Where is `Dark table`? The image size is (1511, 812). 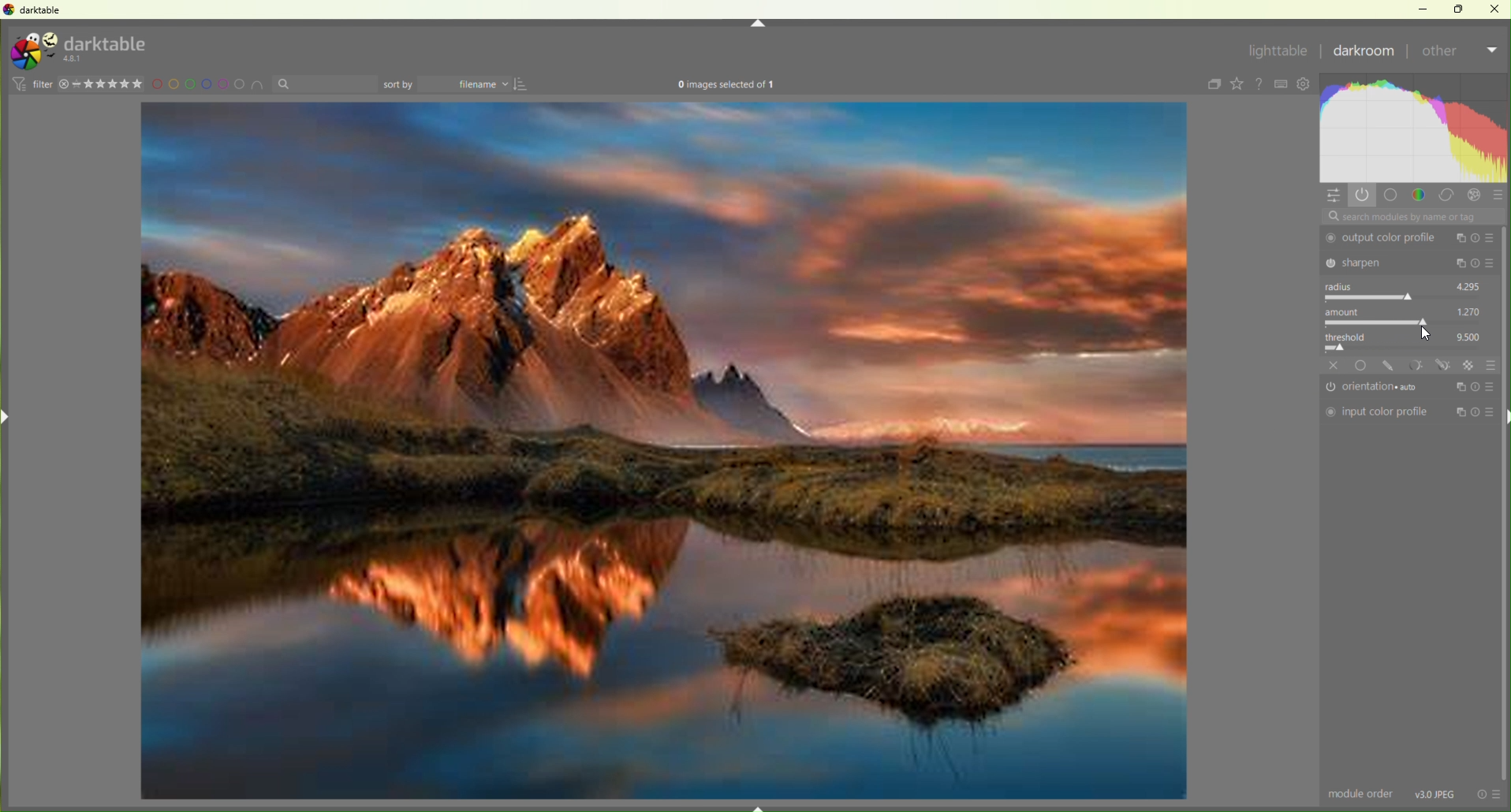
Dark table is located at coordinates (44, 10).